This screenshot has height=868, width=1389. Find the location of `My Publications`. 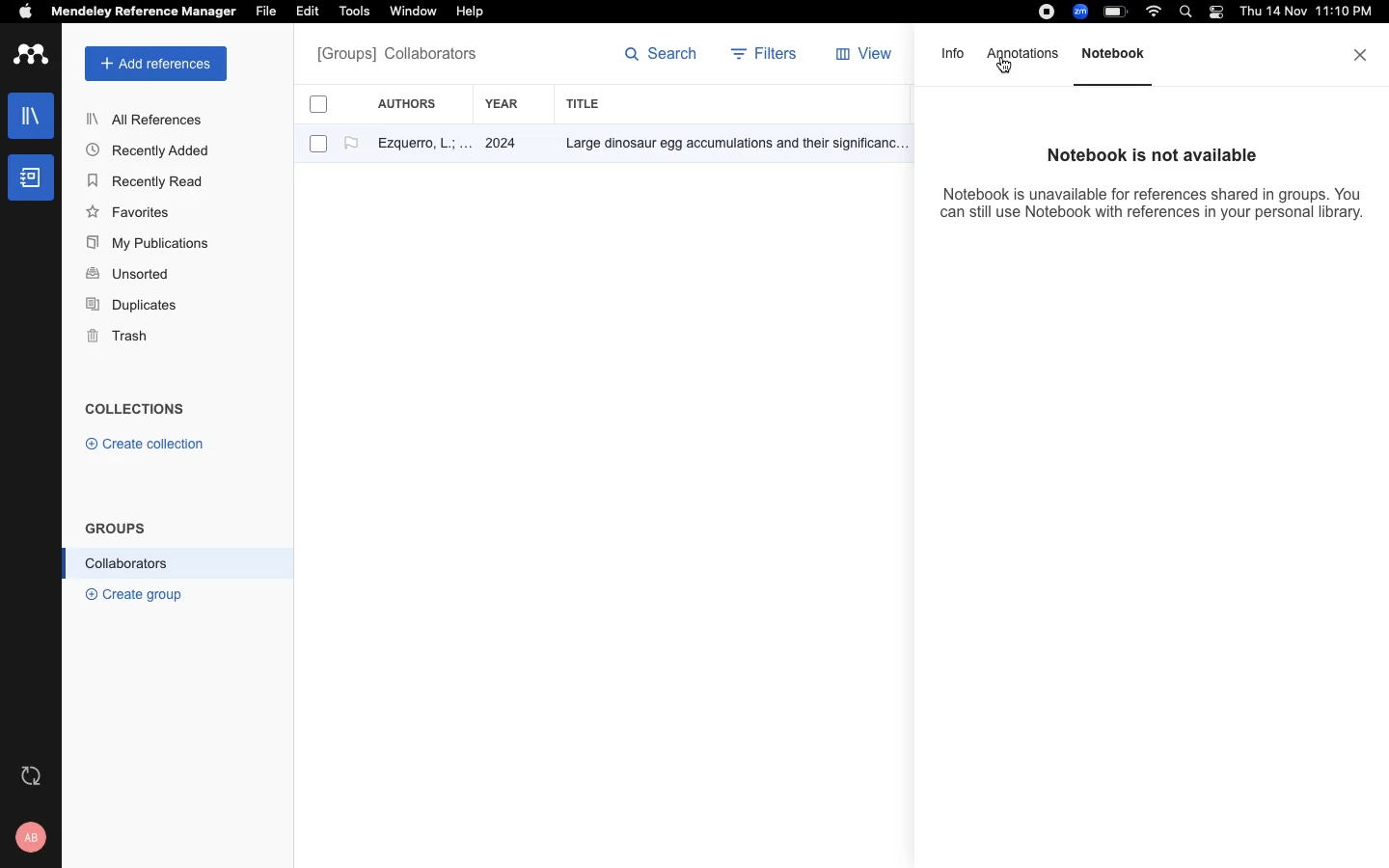

My Publications is located at coordinates (149, 246).